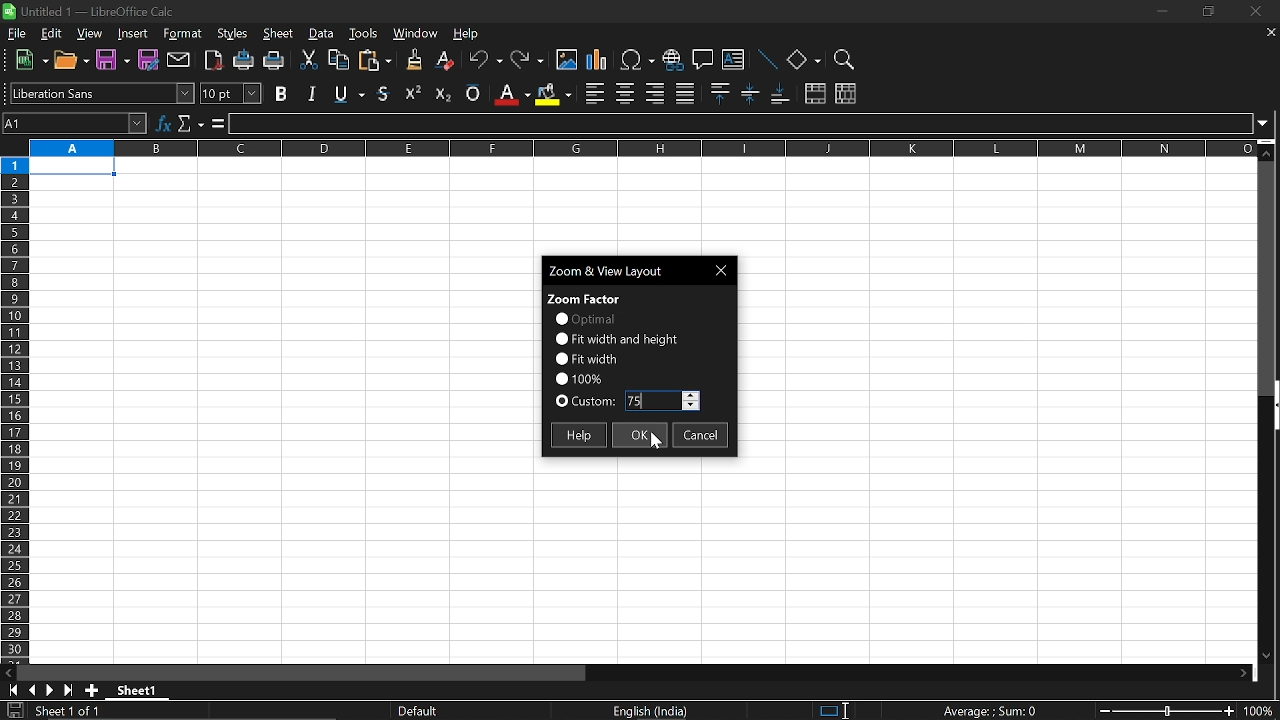 The image size is (1280, 720). I want to click on save as, so click(149, 60).